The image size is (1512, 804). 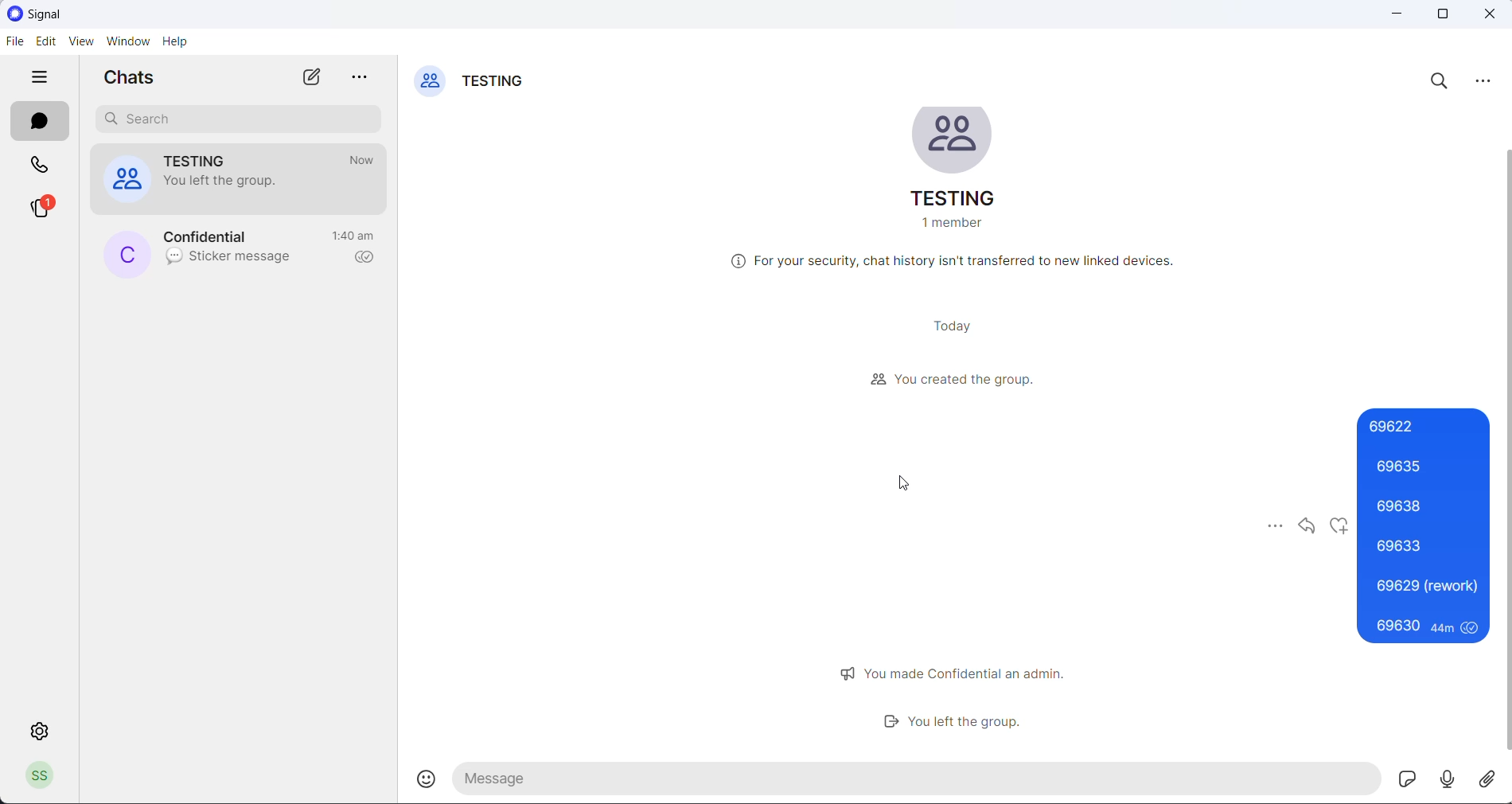 What do you see at coordinates (178, 42) in the screenshot?
I see `help` at bounding box center [178, 42].